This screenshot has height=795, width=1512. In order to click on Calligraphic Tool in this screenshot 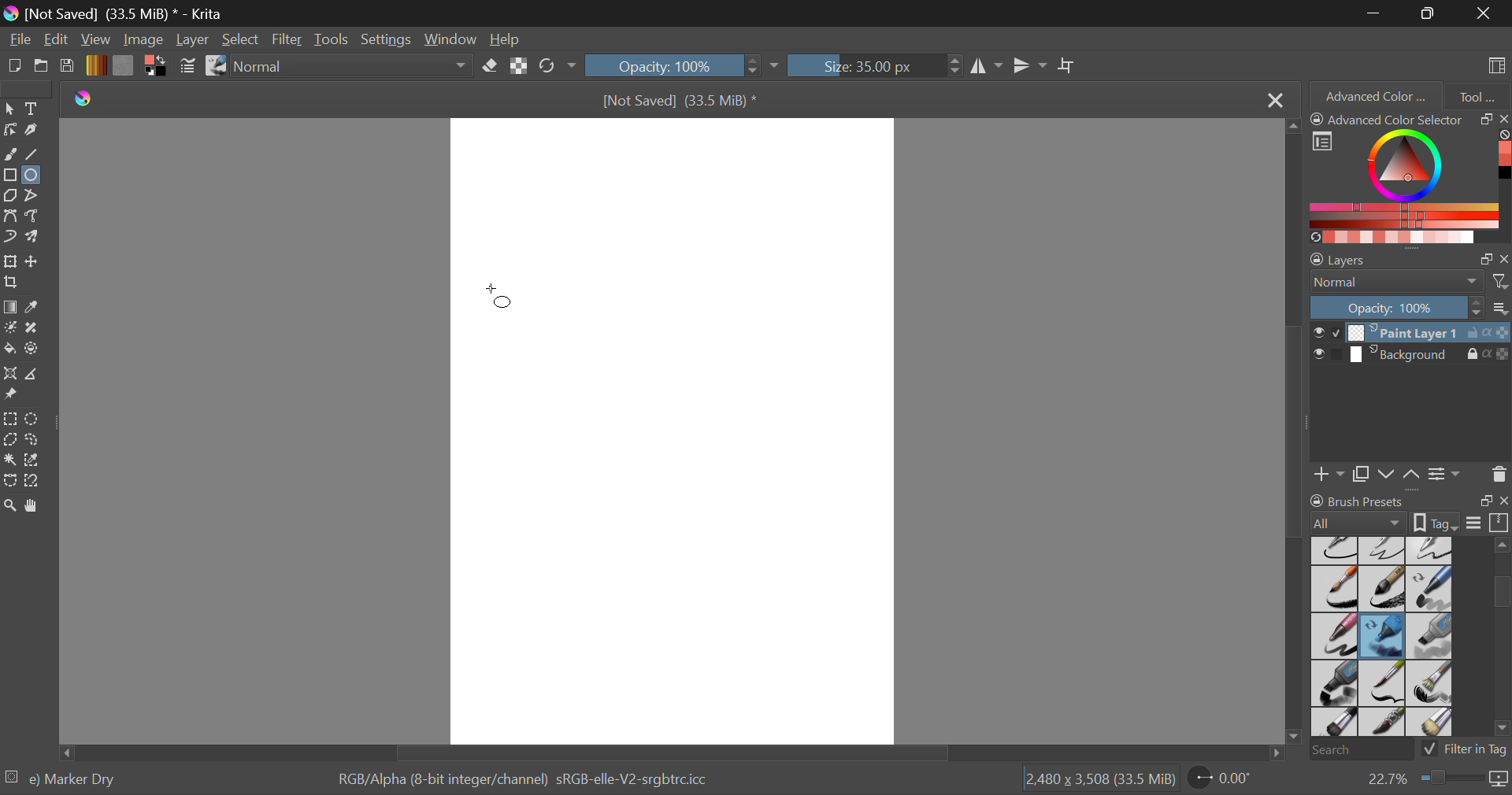, I will do `click(35, 130)`.